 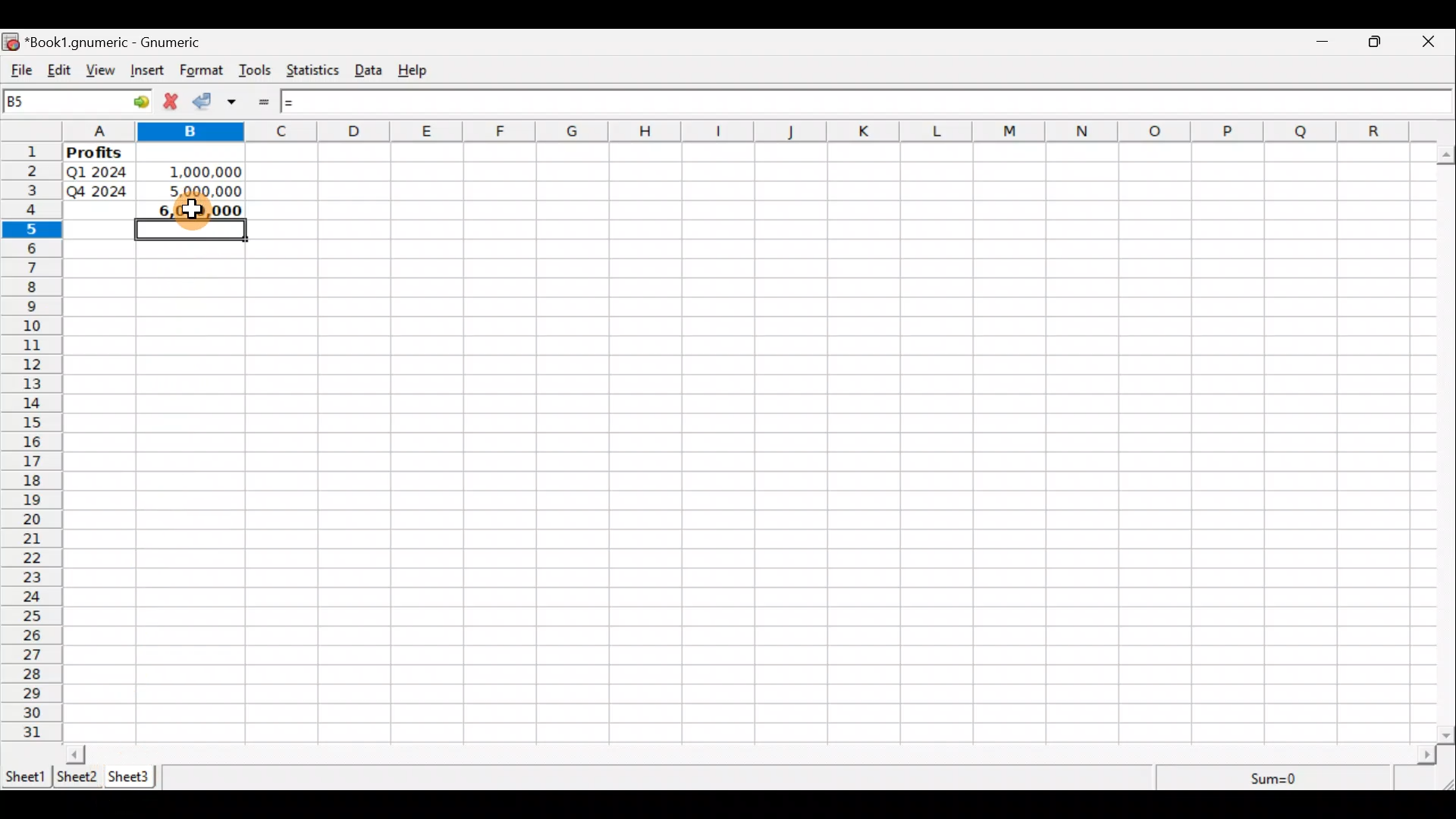 What do you see at coordinates (30, 444) in the screenshot?
I see `numbering column` at bounding box center [30, 444].